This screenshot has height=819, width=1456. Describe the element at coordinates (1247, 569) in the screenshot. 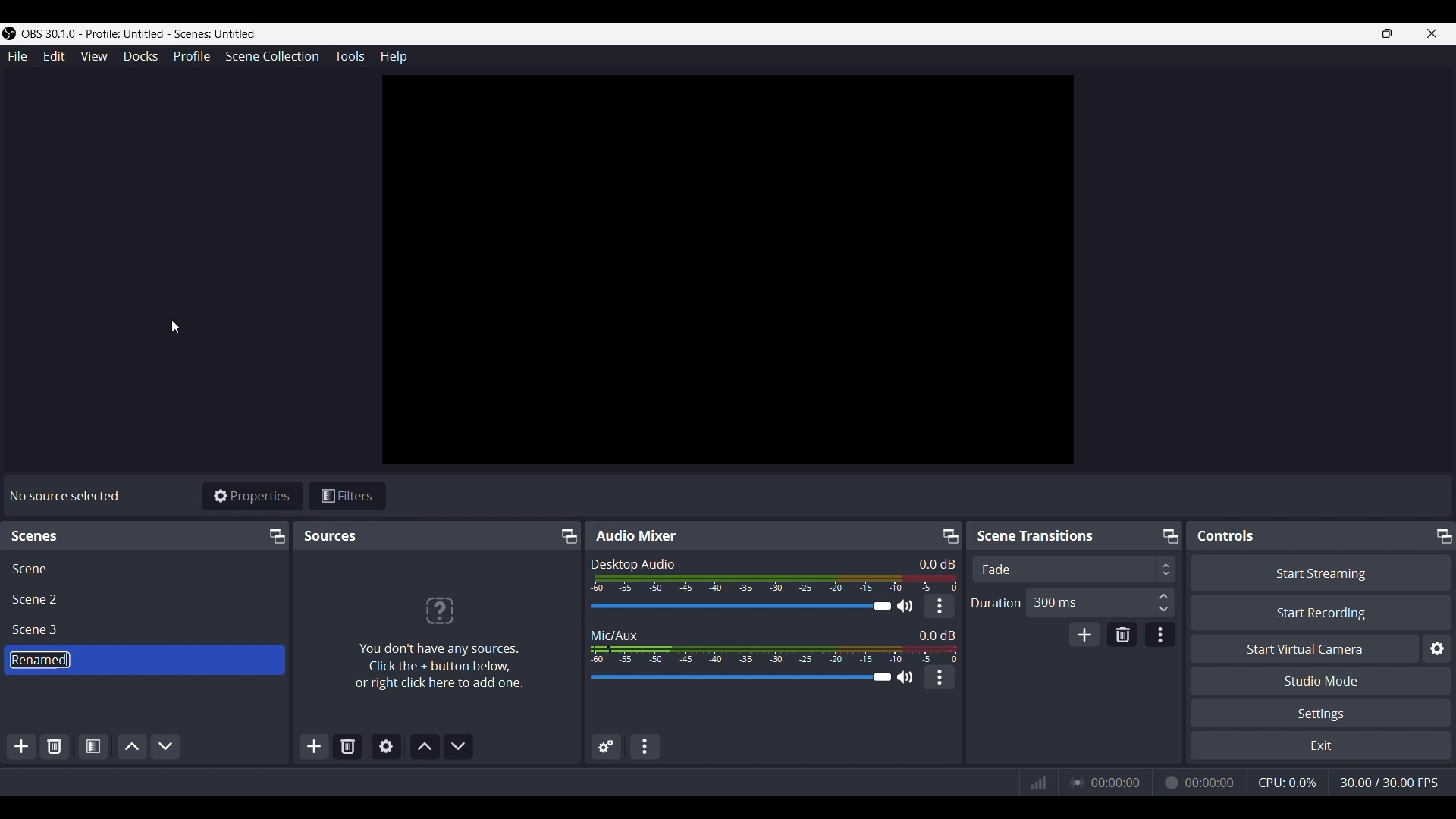

I see `Transition Type Dropdown` at that location.